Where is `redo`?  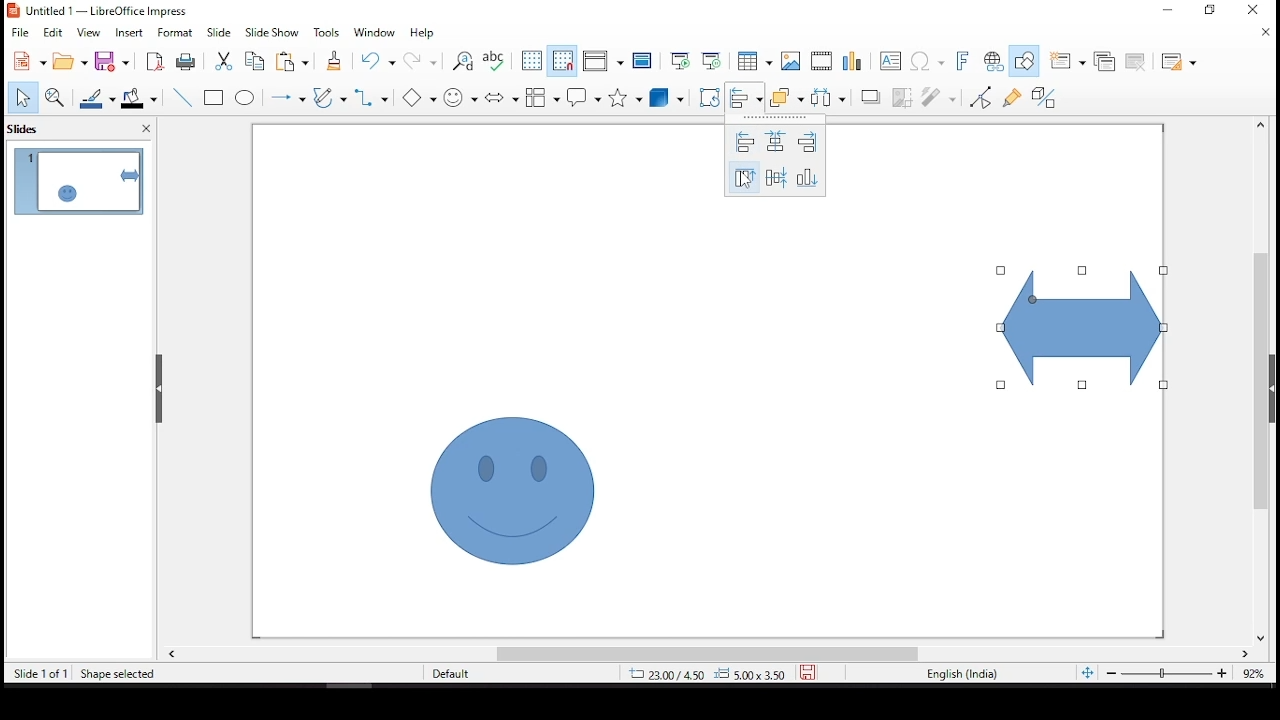 redo is located at coordinates (422, 65).